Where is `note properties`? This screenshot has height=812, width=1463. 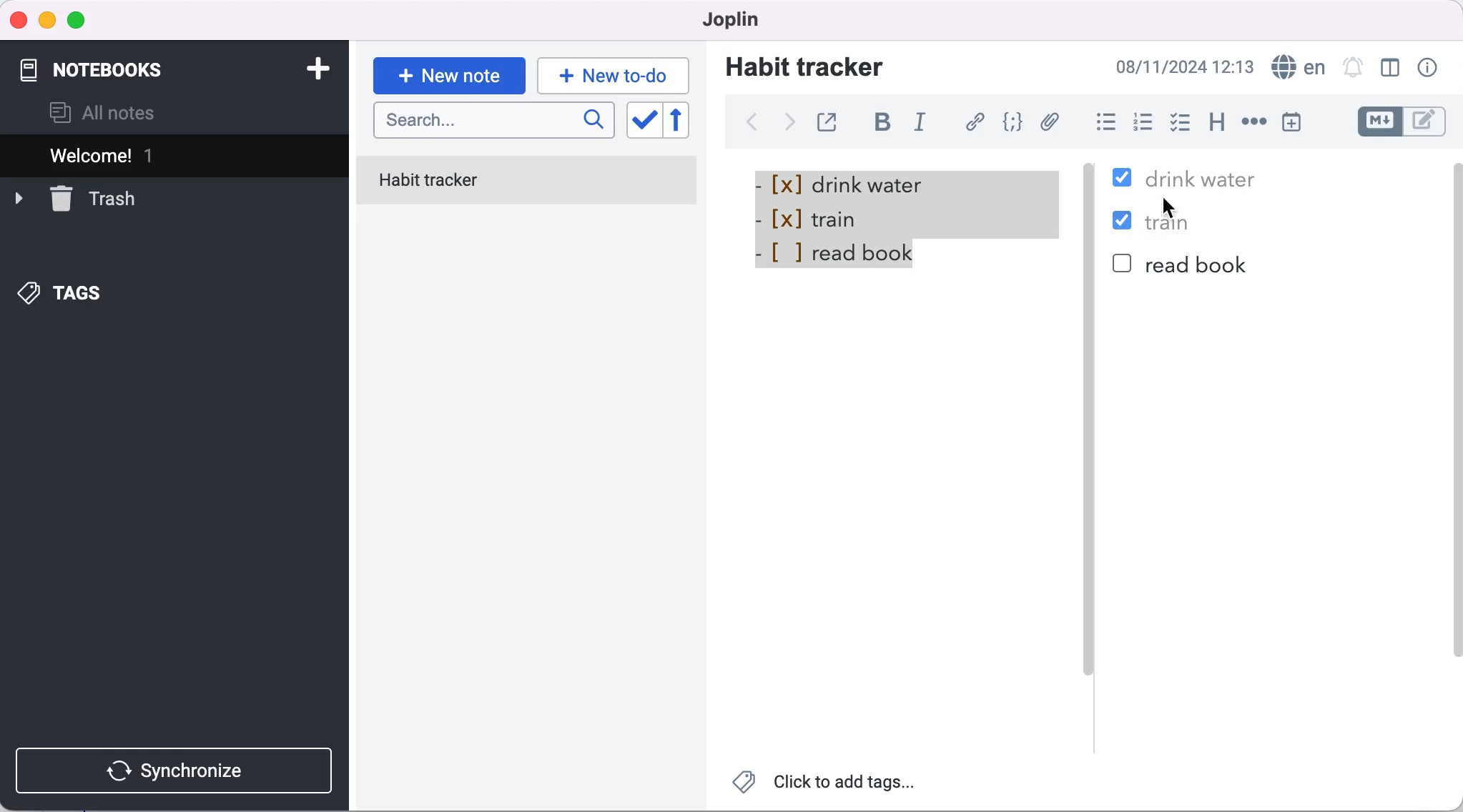 note properties is located at coordinates (1429, 68).